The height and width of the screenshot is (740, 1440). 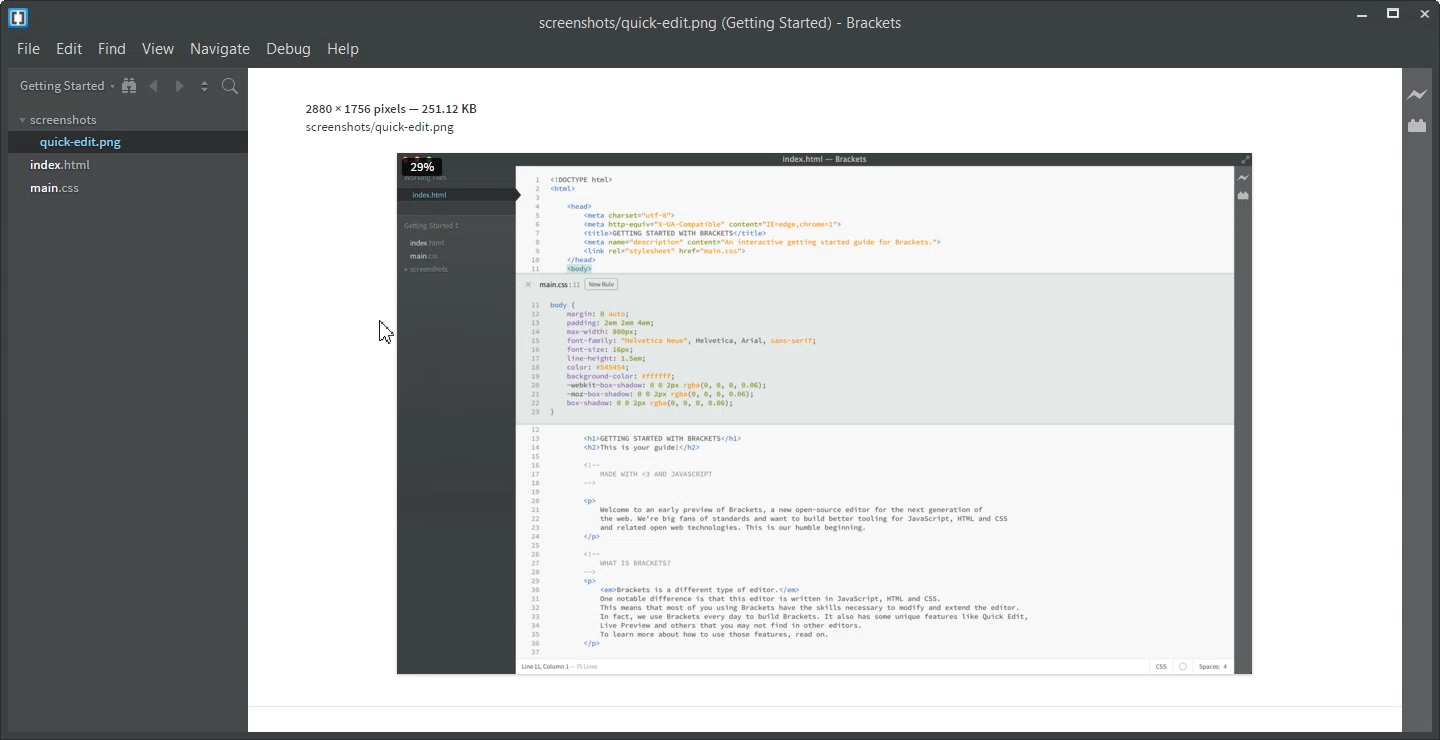 What do you see at coordinates (81, 142) in the screenshot?
I see `quick-edit.png` at bounding box center [81, 142].